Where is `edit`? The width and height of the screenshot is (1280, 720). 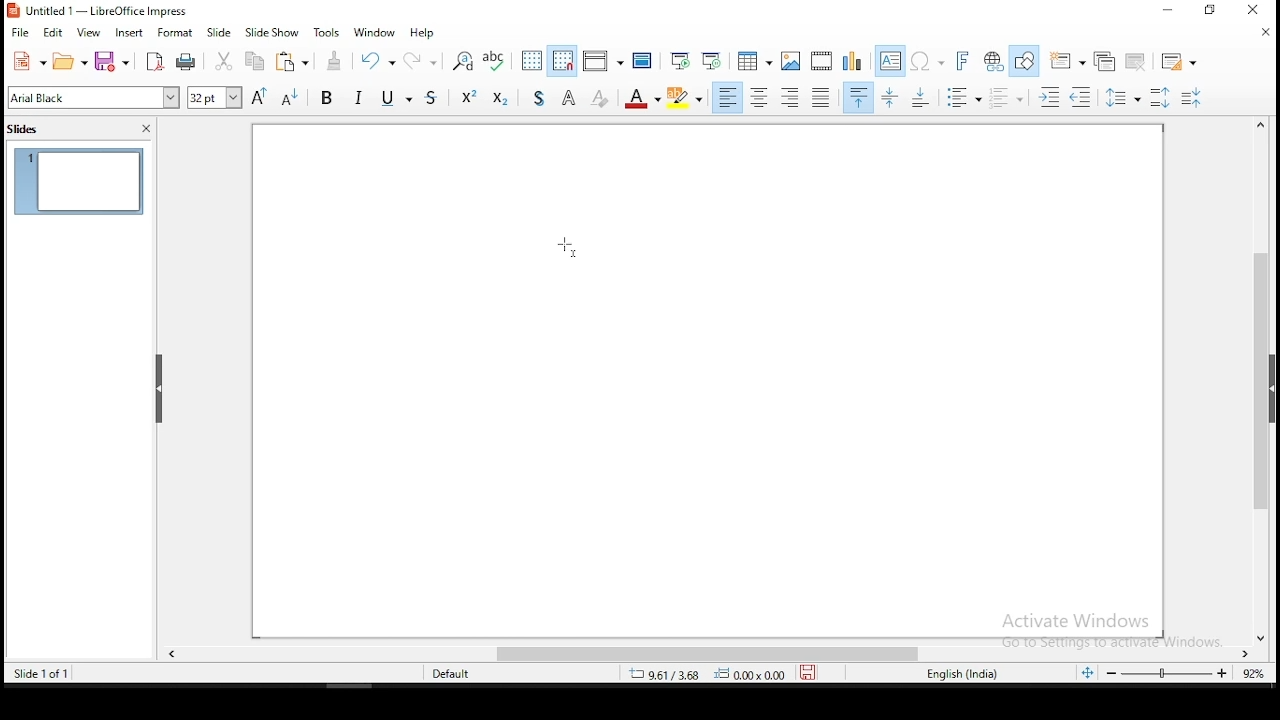 edit is located at coordinates (51, 33).